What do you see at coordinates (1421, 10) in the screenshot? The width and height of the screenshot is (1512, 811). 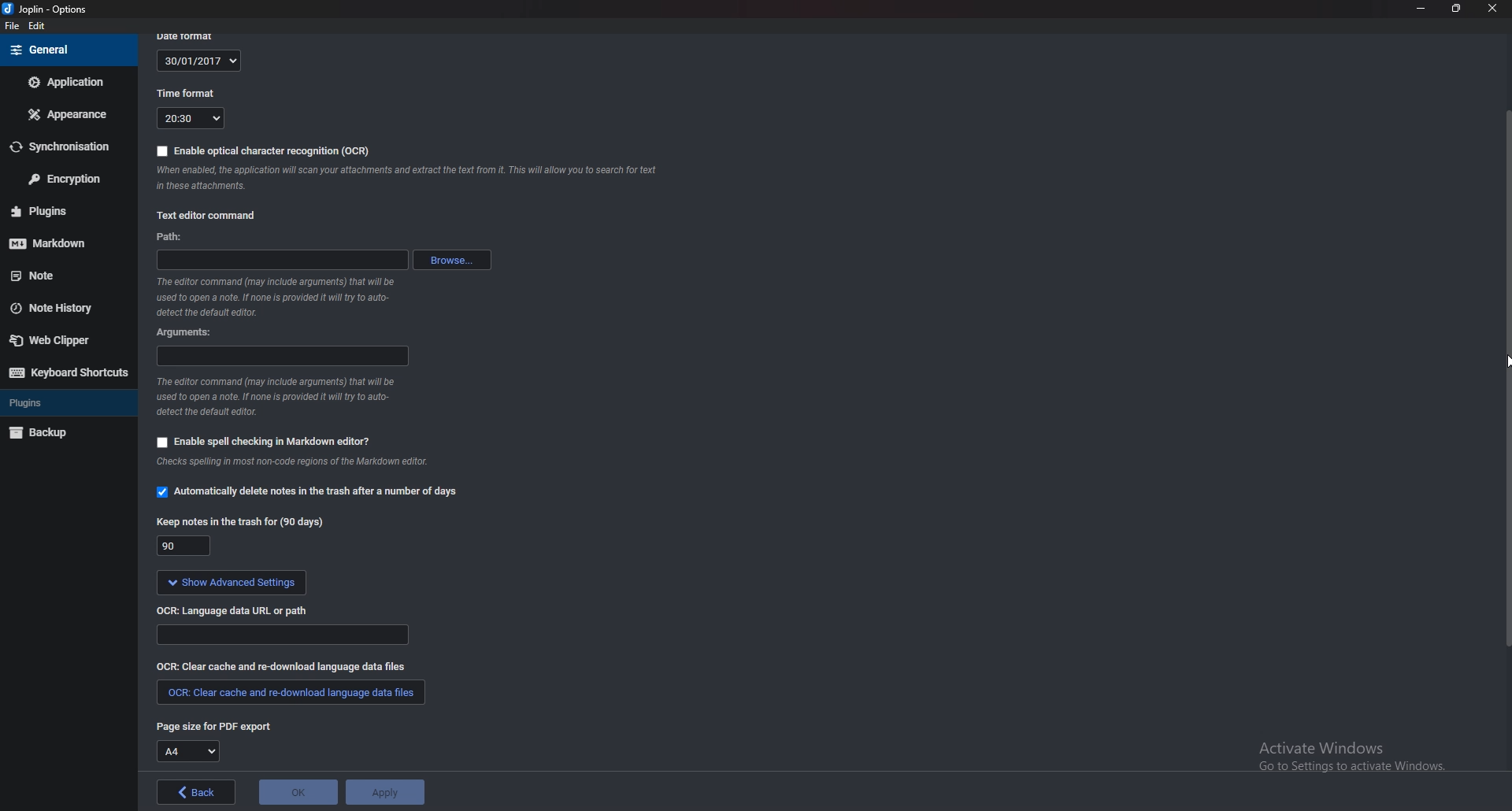 I see `minimize` at bounding box center [1421, 10].